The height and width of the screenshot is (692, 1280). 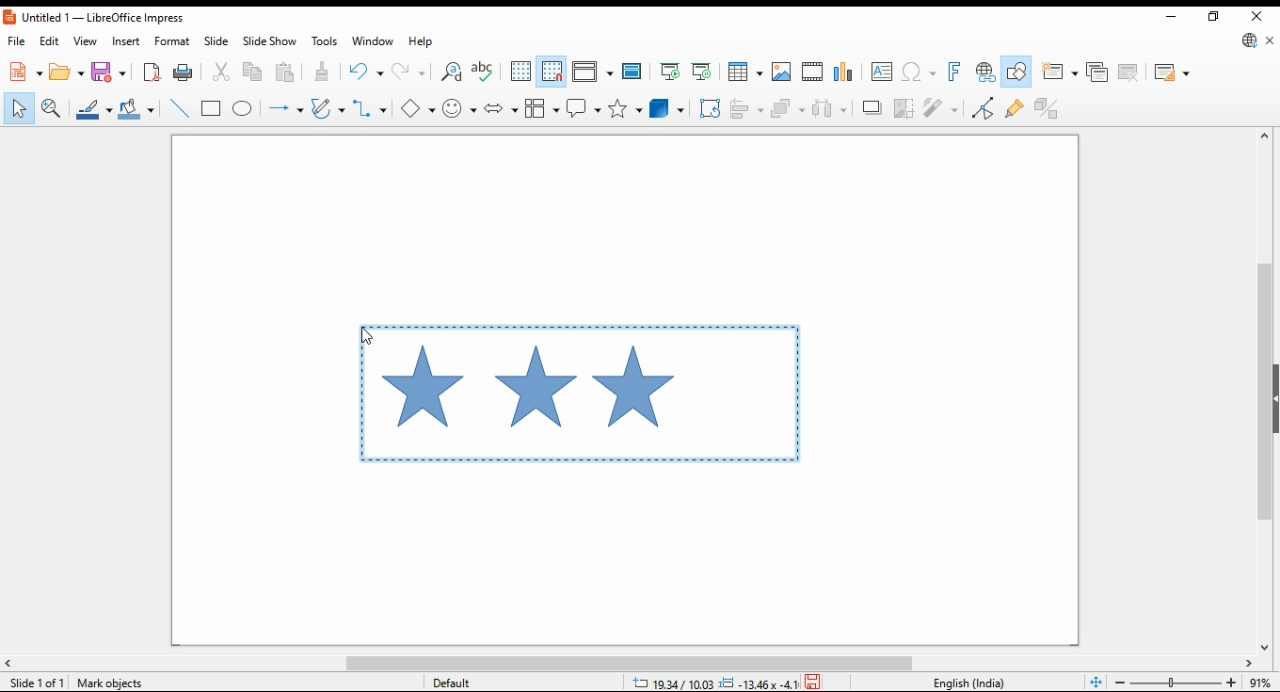 What do you see at coordinates (669, 72) in the screenshot?
I see `start from first slide` at bounding box center [669, 72].